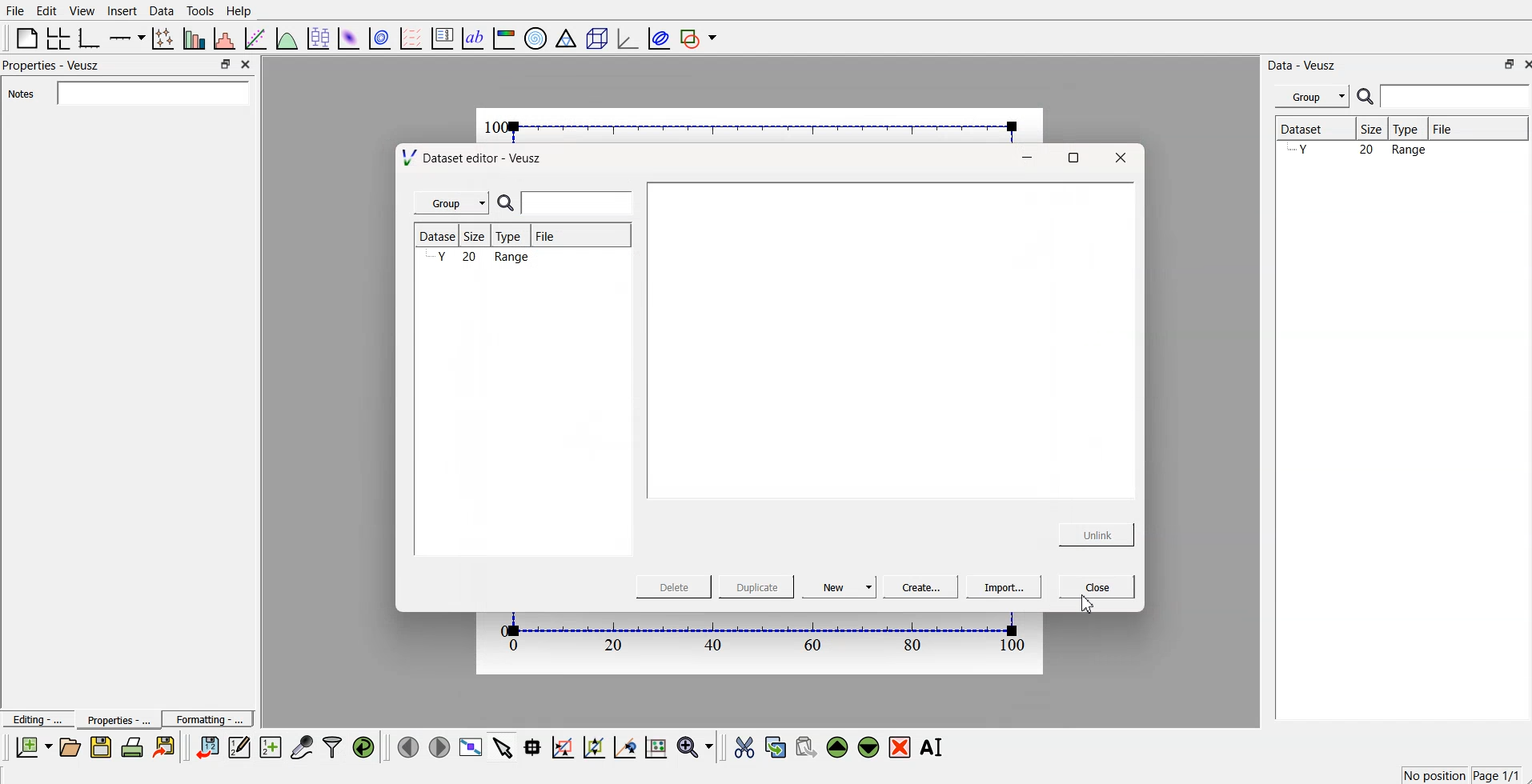 This screenshot has width=1532, height=784. What do you see at coordinates (567, 37) in the screenshot?
I see `ternary graph` at bounding box center [567, 37].